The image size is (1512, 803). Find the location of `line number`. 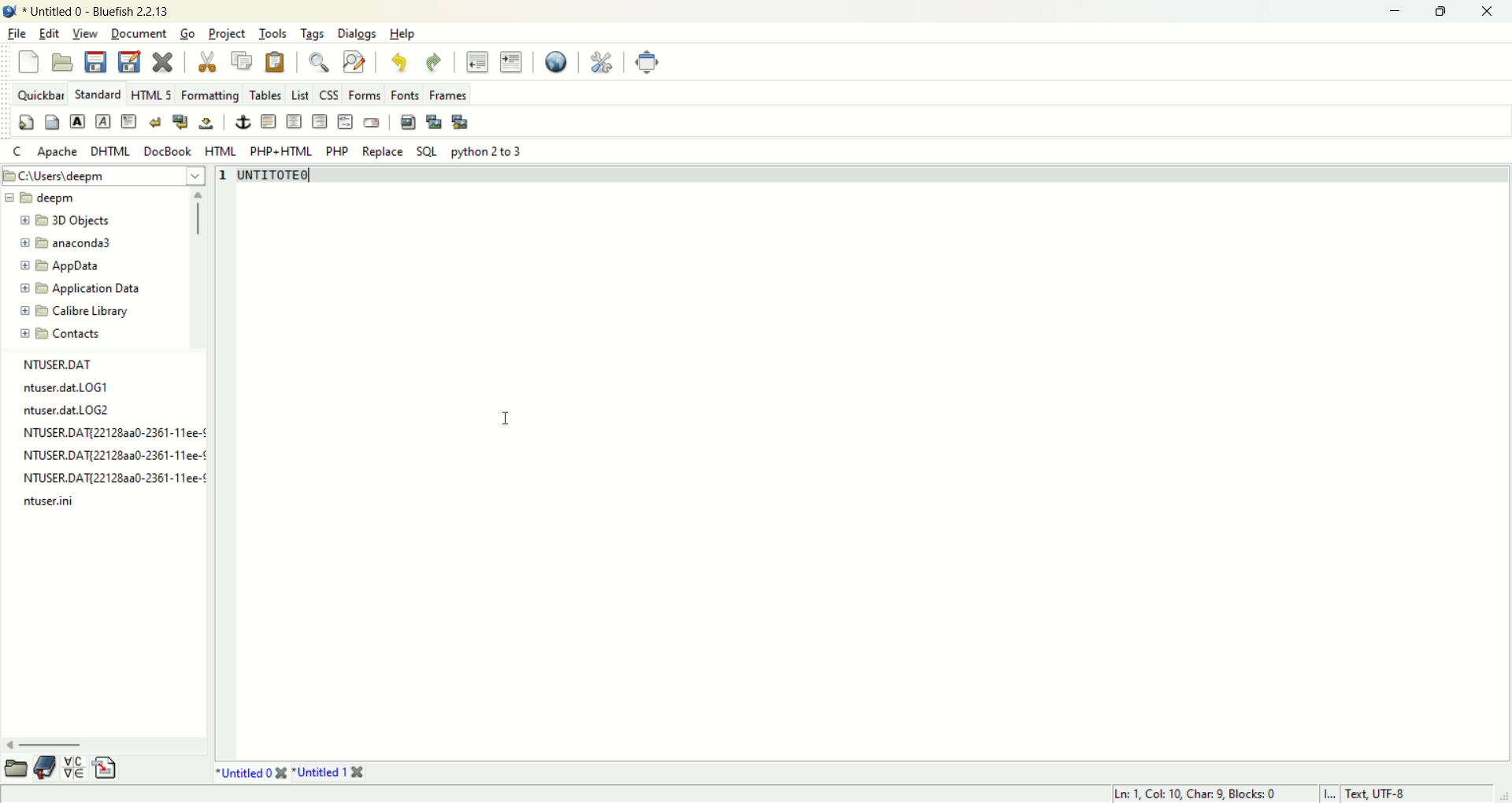

line number is located at coordinates (225, 177).